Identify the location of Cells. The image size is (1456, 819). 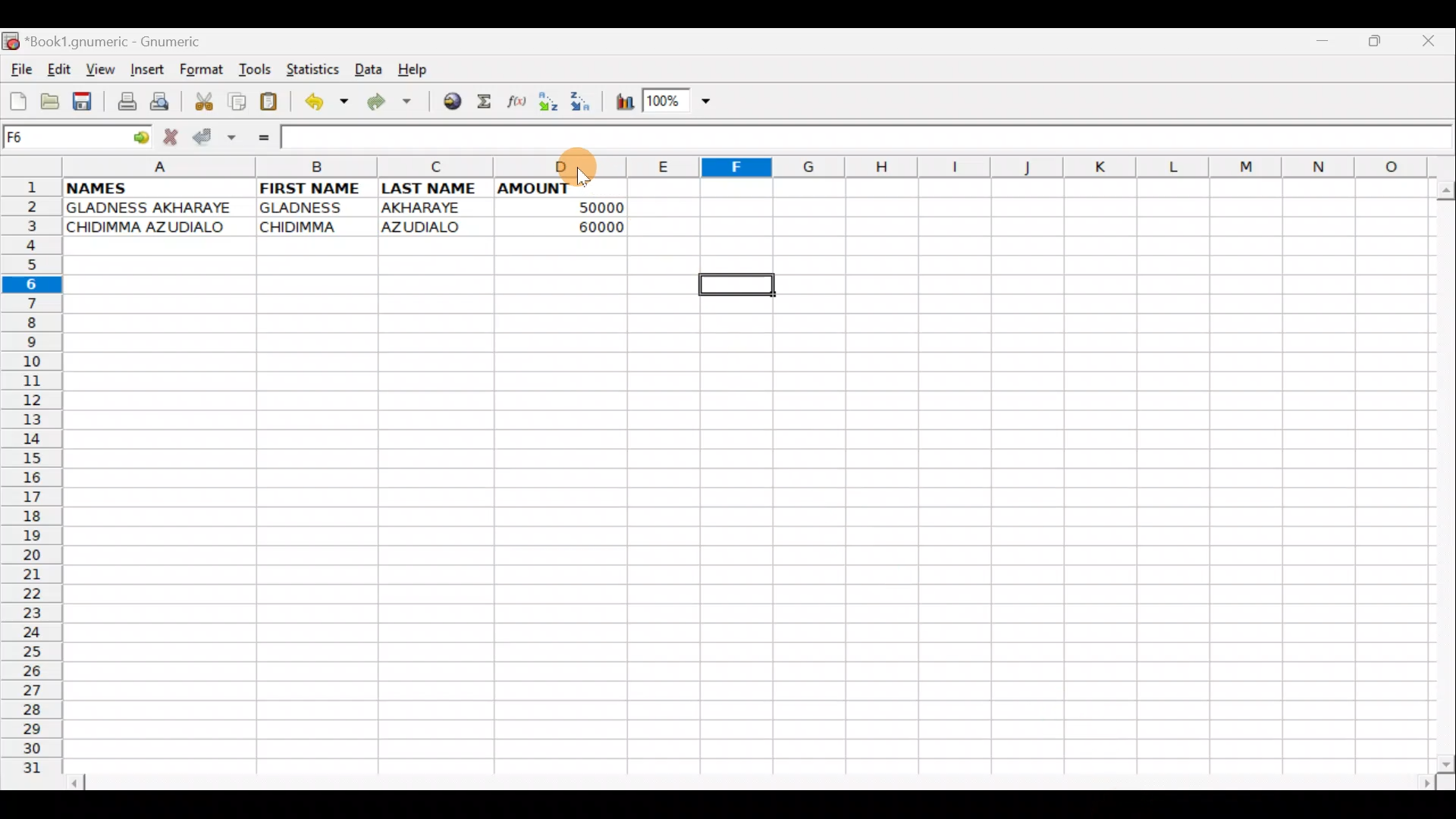
(743, 510).